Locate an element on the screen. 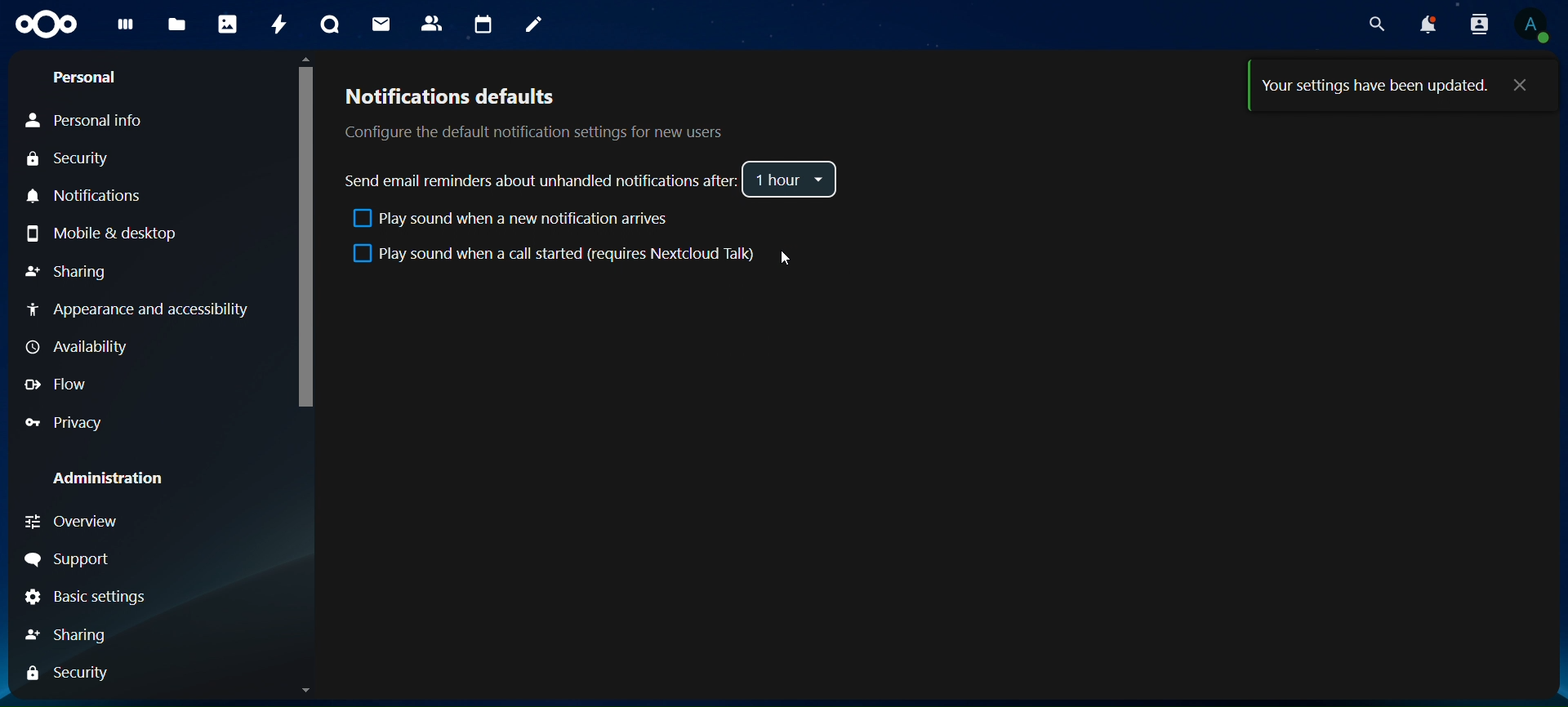  Support is located at coordinates (68, 559).